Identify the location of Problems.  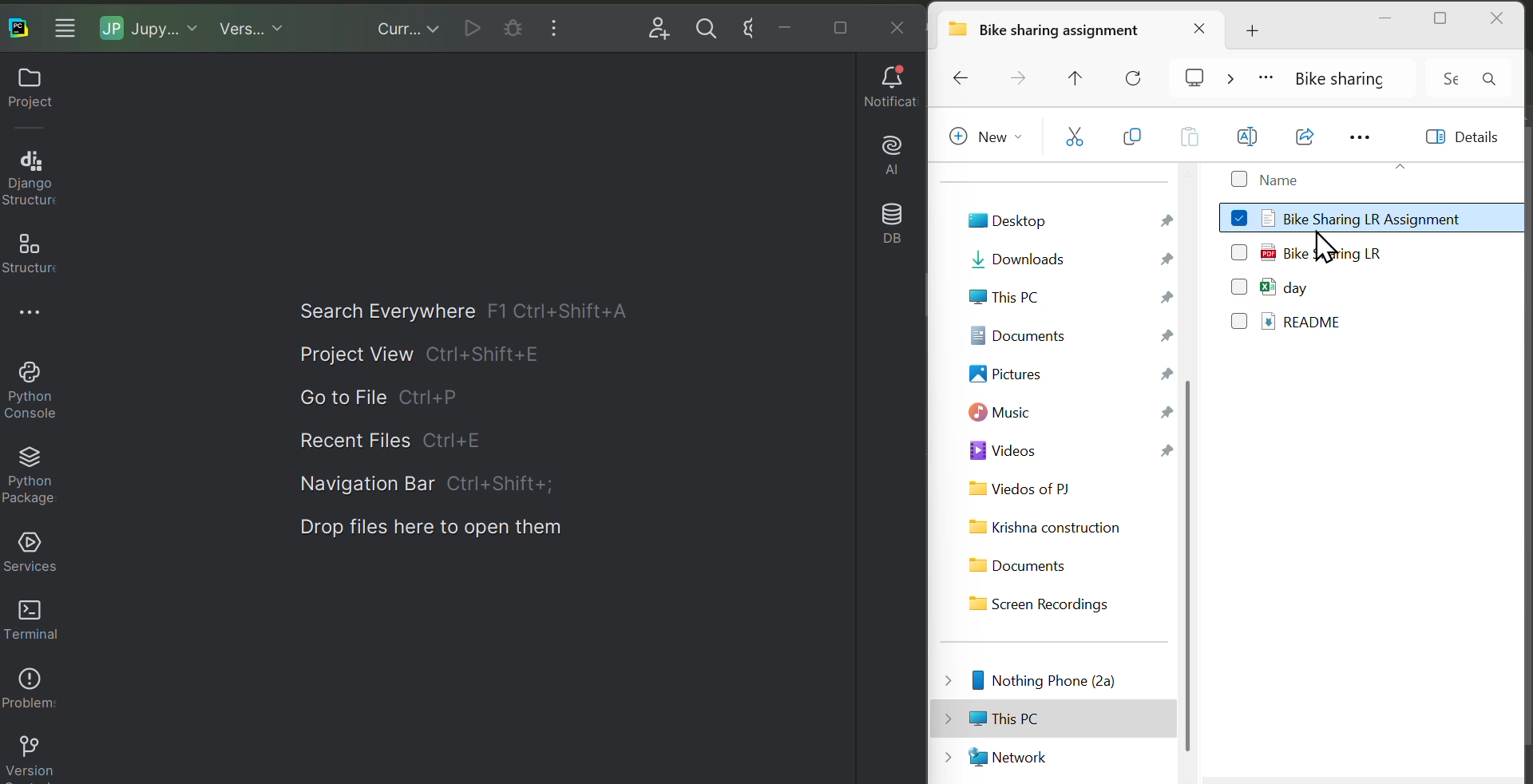
(30, 695).